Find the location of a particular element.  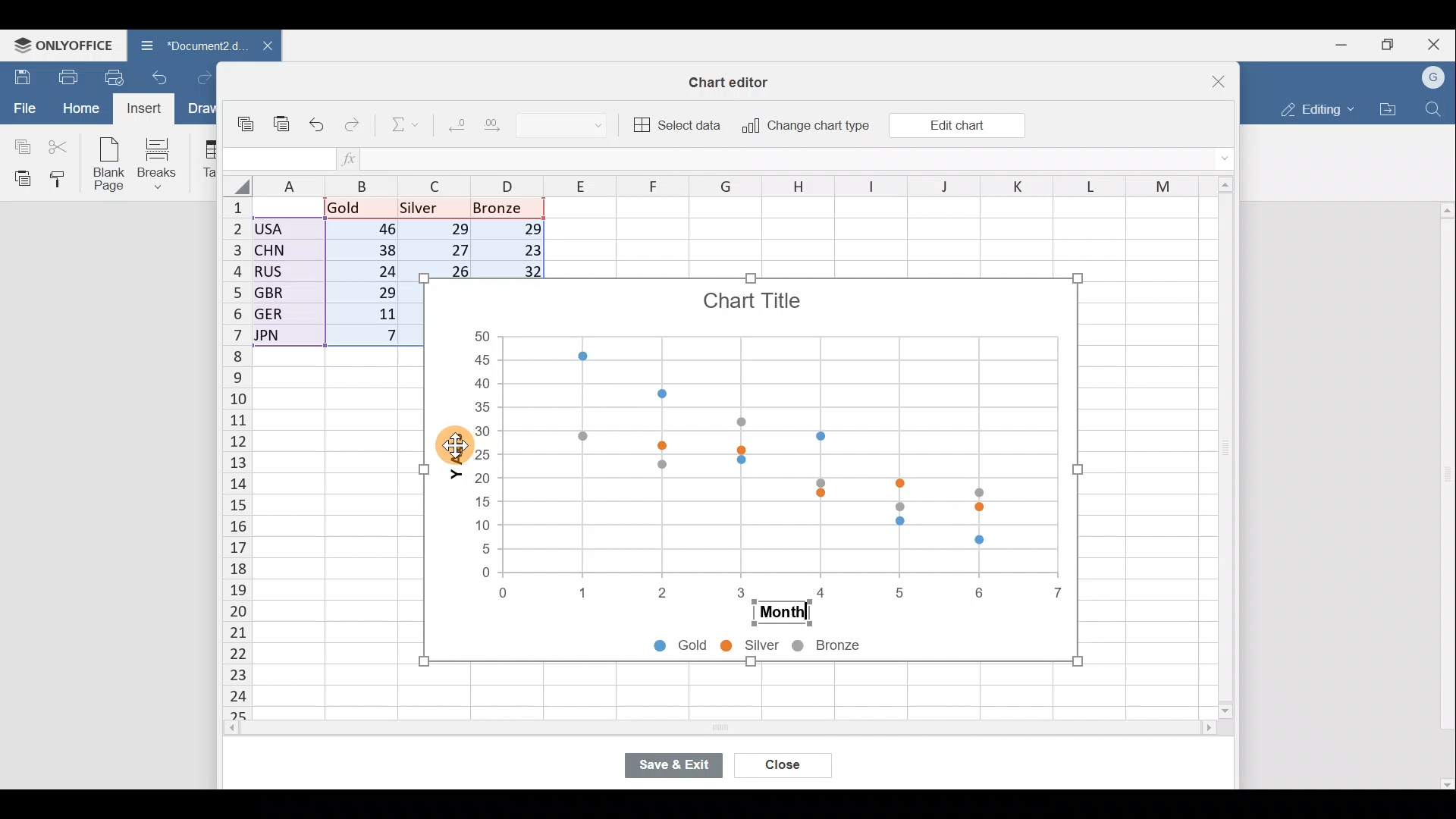

Save is located at coordinates (19, 75).